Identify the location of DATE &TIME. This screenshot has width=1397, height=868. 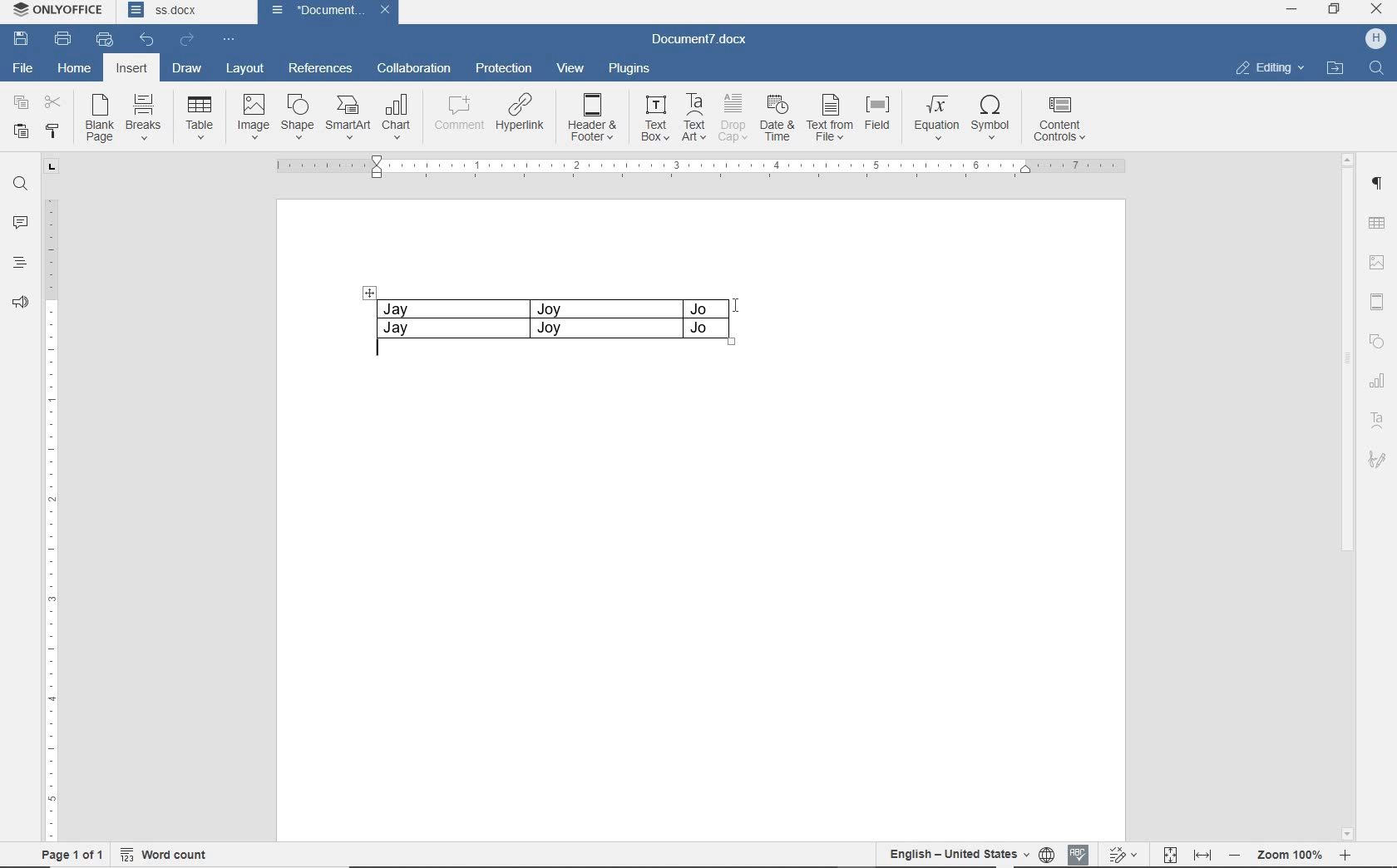
(777, 117).